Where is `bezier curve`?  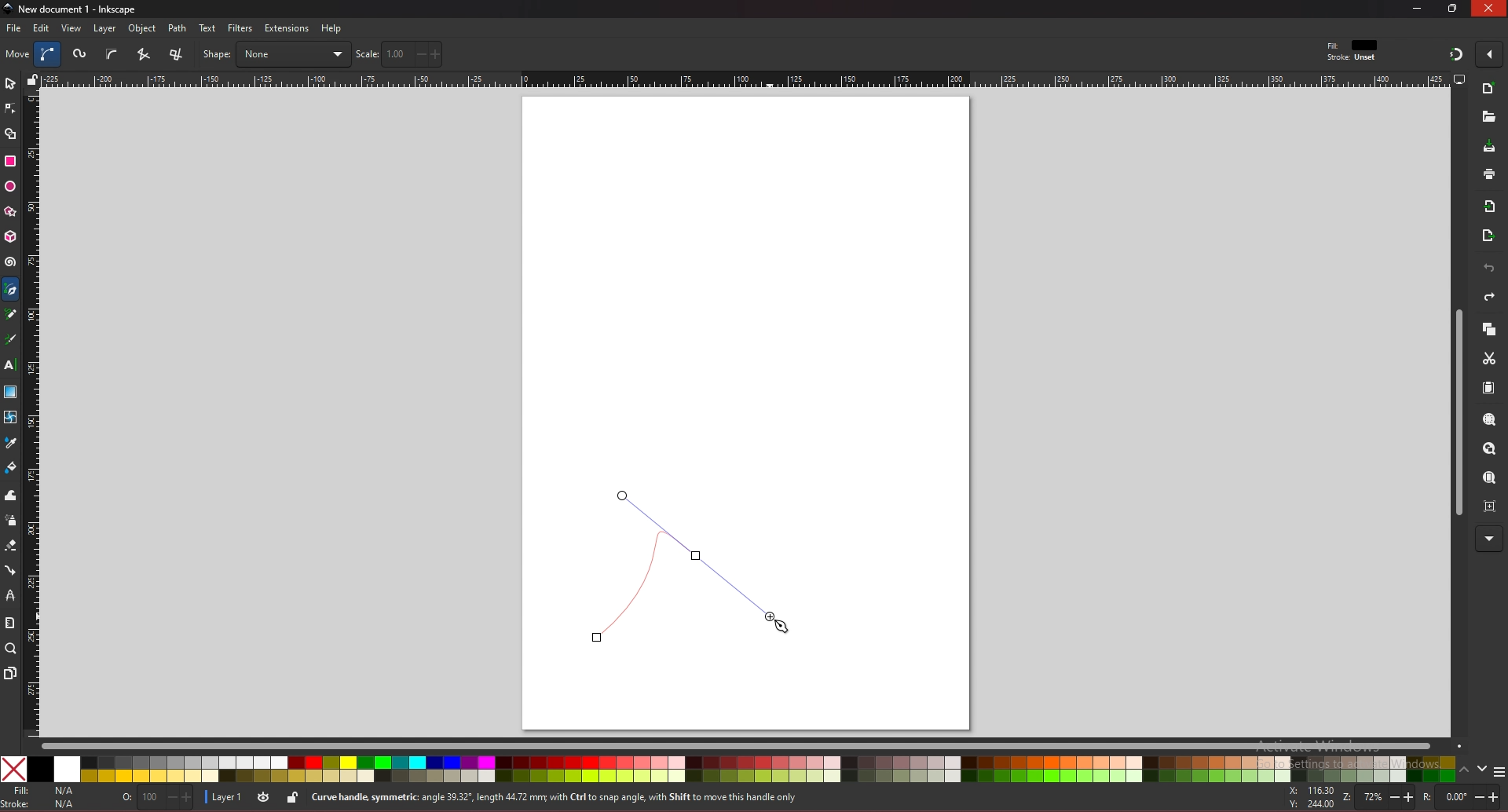
bezier curve is located at coordinates (49, 54).